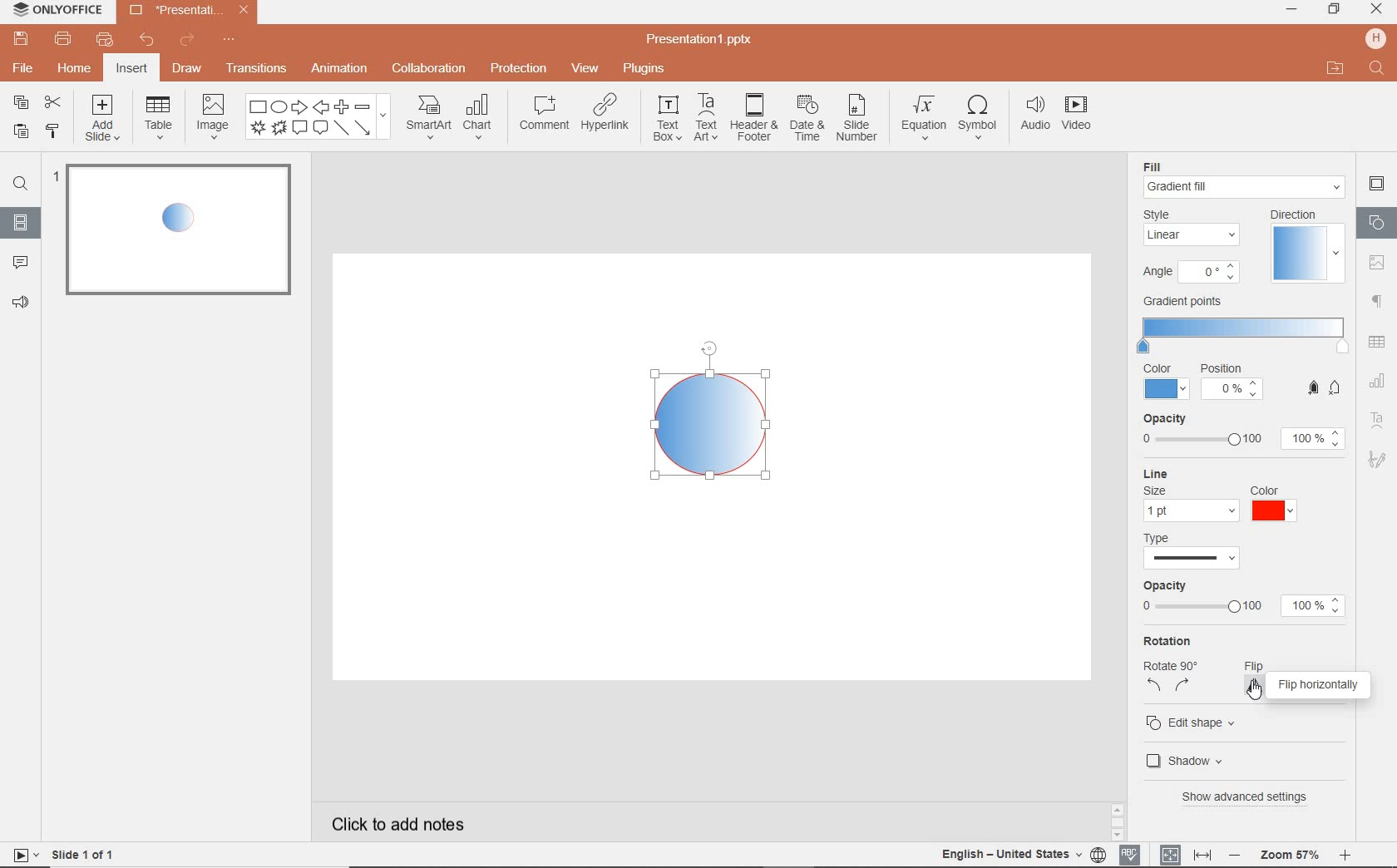  I want to click on color, so click(1167, 382).